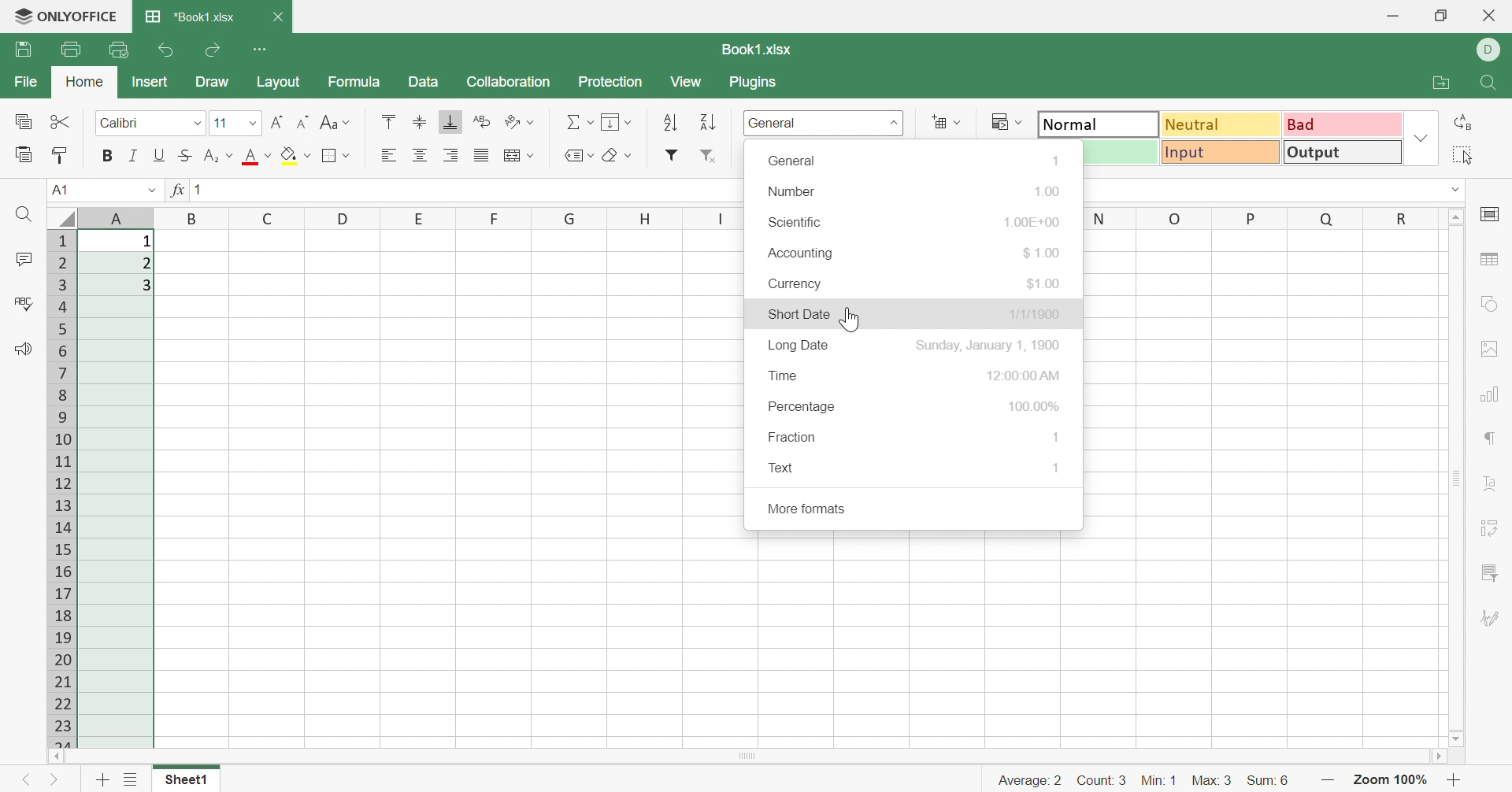 This screenshot has width=1512, height=792. What do you see at coordinates (216, 48) in the screenshot?
I see `Redo` at bounding box center [216, 48].